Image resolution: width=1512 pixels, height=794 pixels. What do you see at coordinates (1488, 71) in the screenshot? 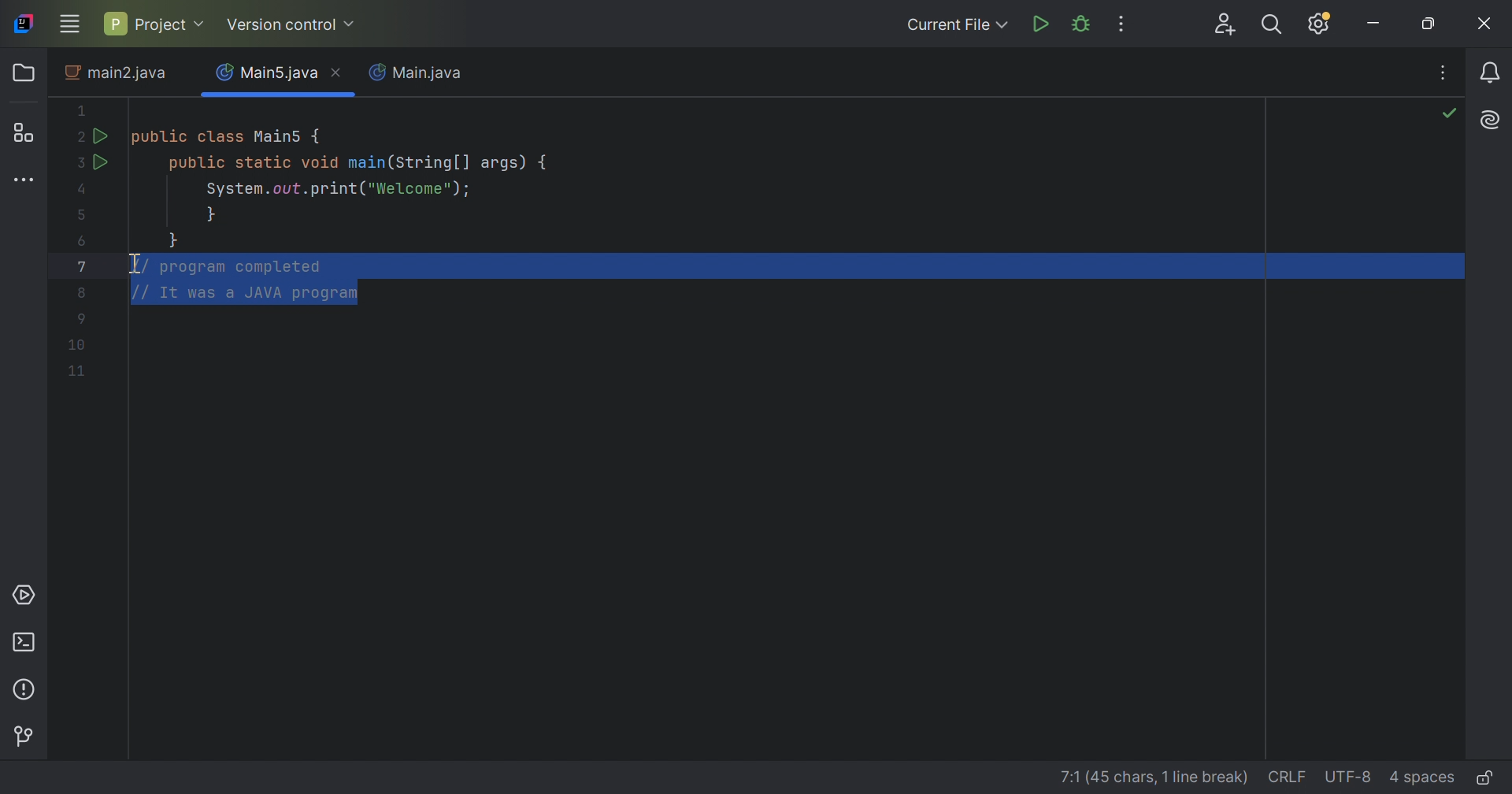
I see `Notifications` at bounding box center [1488, 71].